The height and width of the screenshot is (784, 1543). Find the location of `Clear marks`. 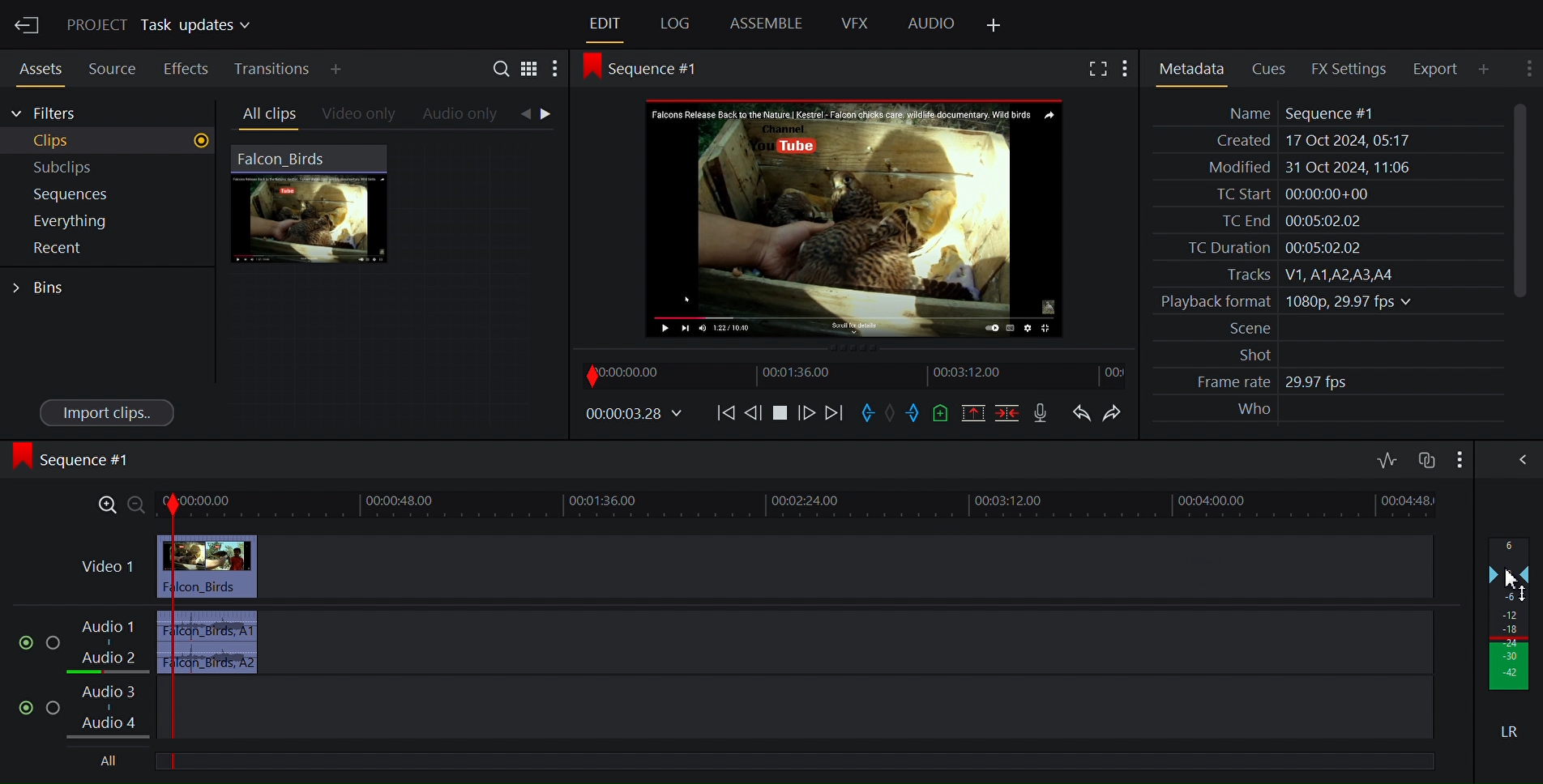

Clear marks is located at coordinates (891, 415).